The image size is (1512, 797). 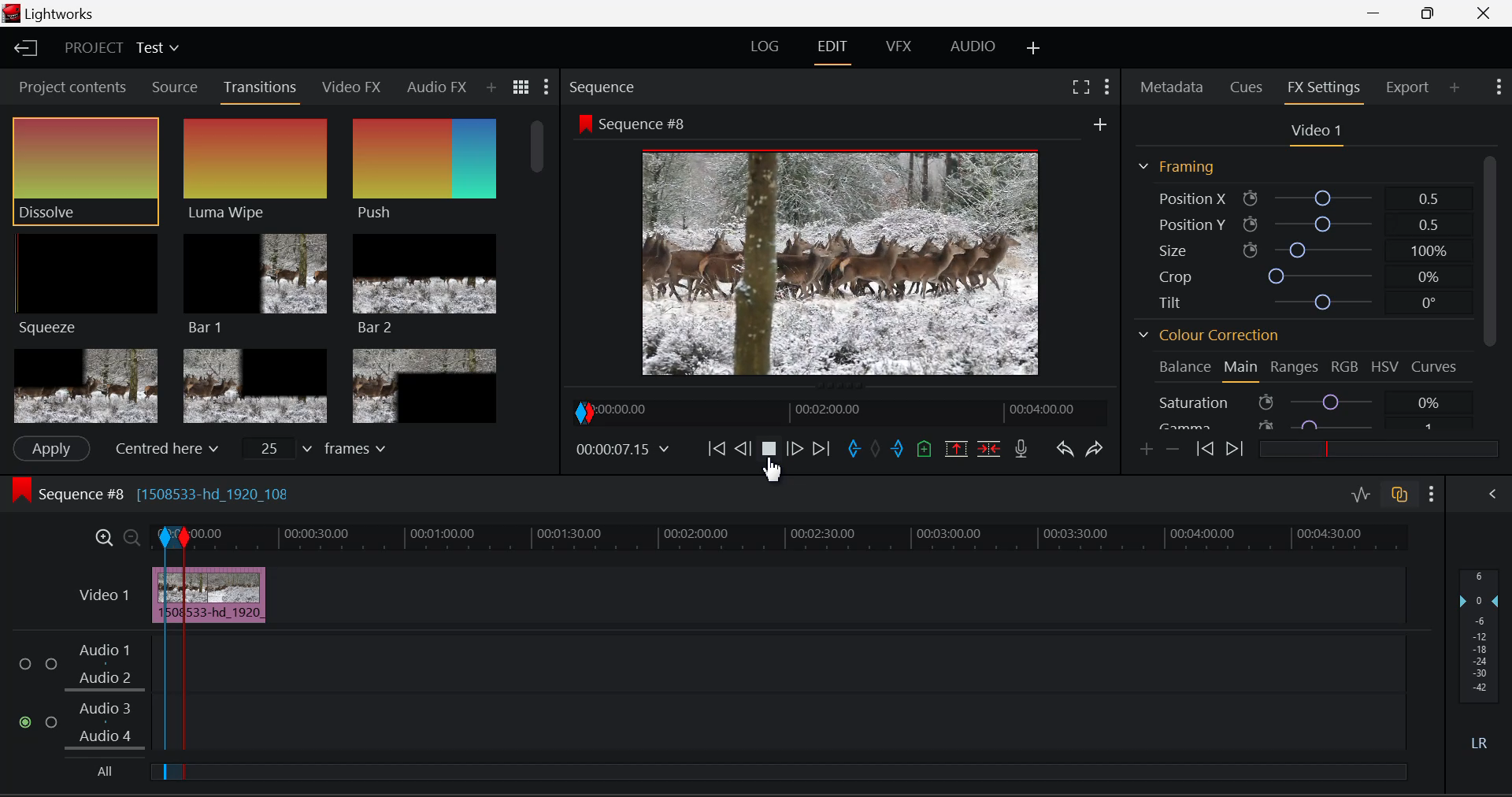 I want to click on Apply, so click(x=52, y=449).